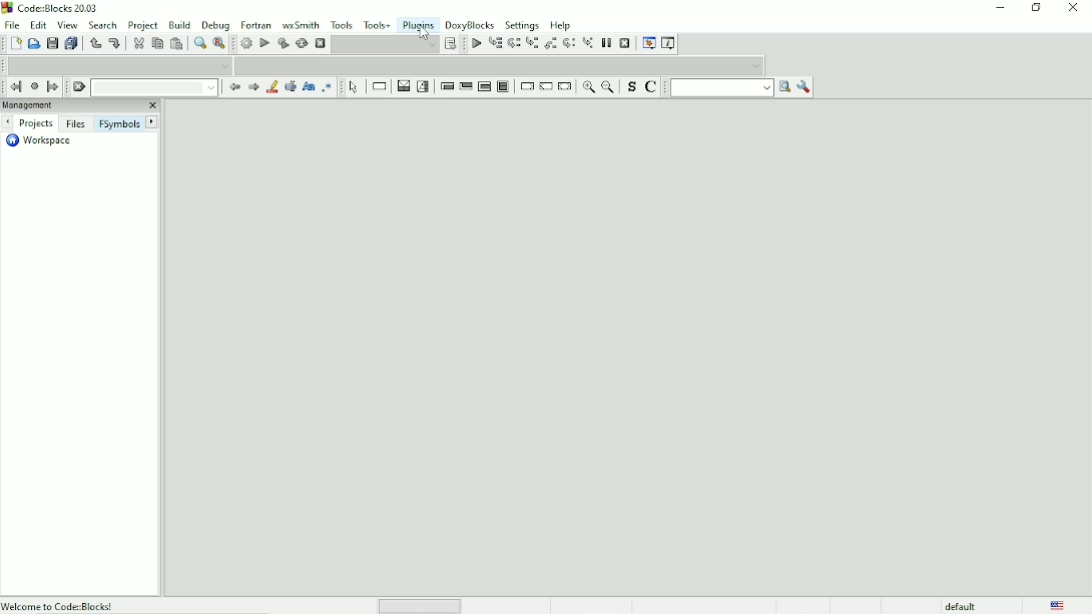  Describe the element at coordinates (119, 123) in the screenshot. I see `FSymbols` at that location.